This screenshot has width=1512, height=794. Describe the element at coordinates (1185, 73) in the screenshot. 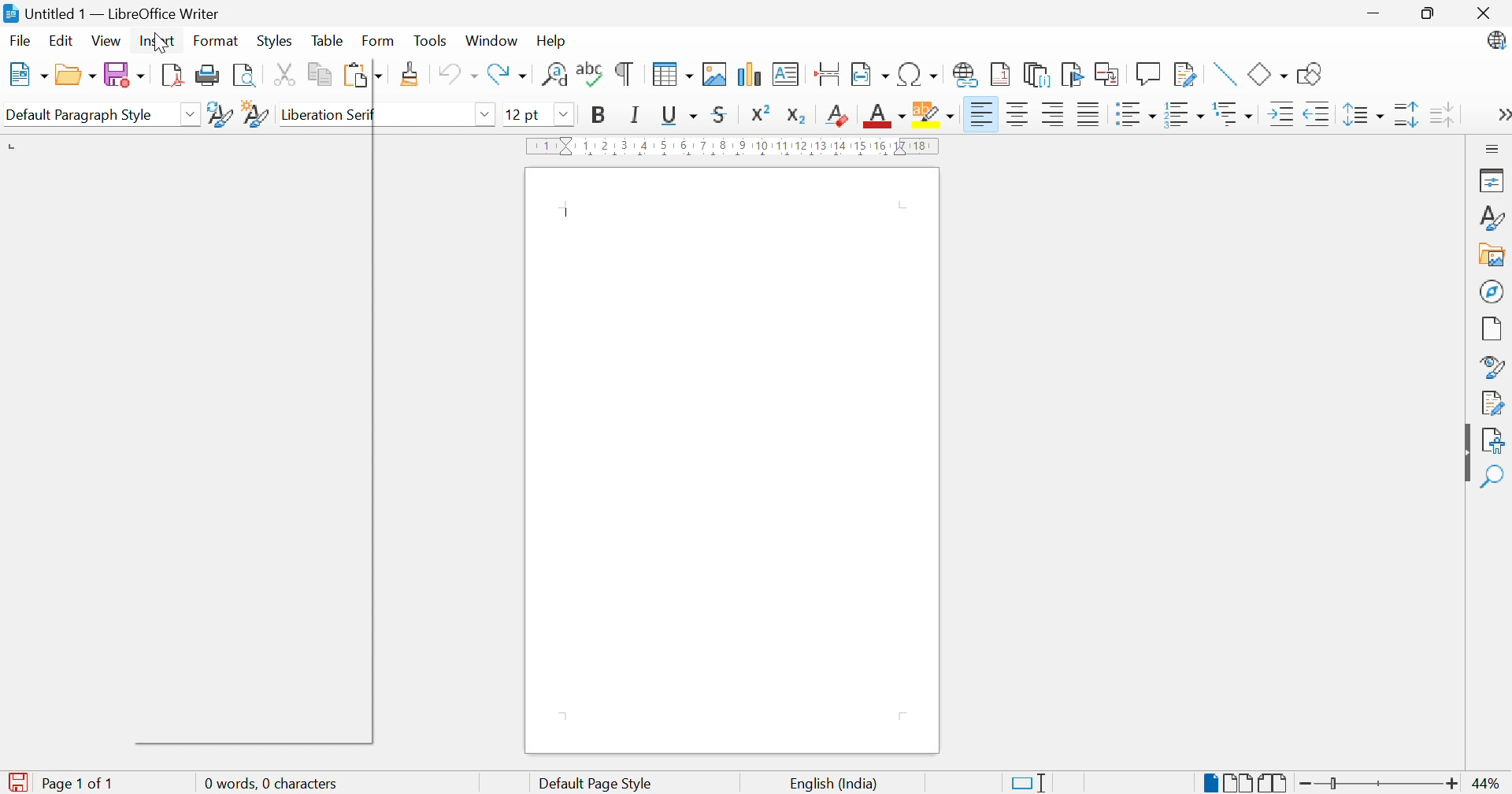

I see `Show track changes functions` at that location.